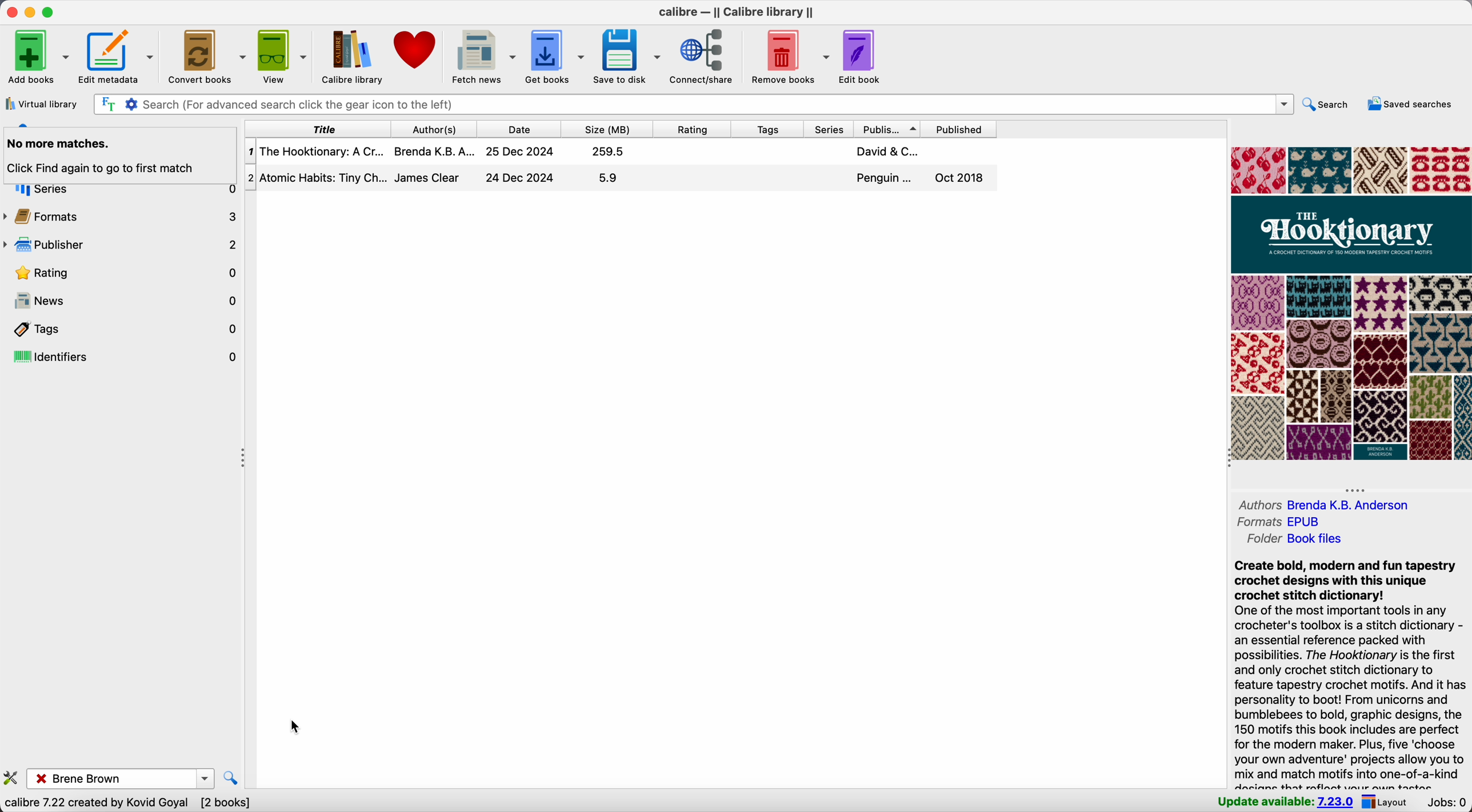  What do you see at coordinates (417, 49) in the screenshot?
I see `donate` at bounding box center [417, 49].